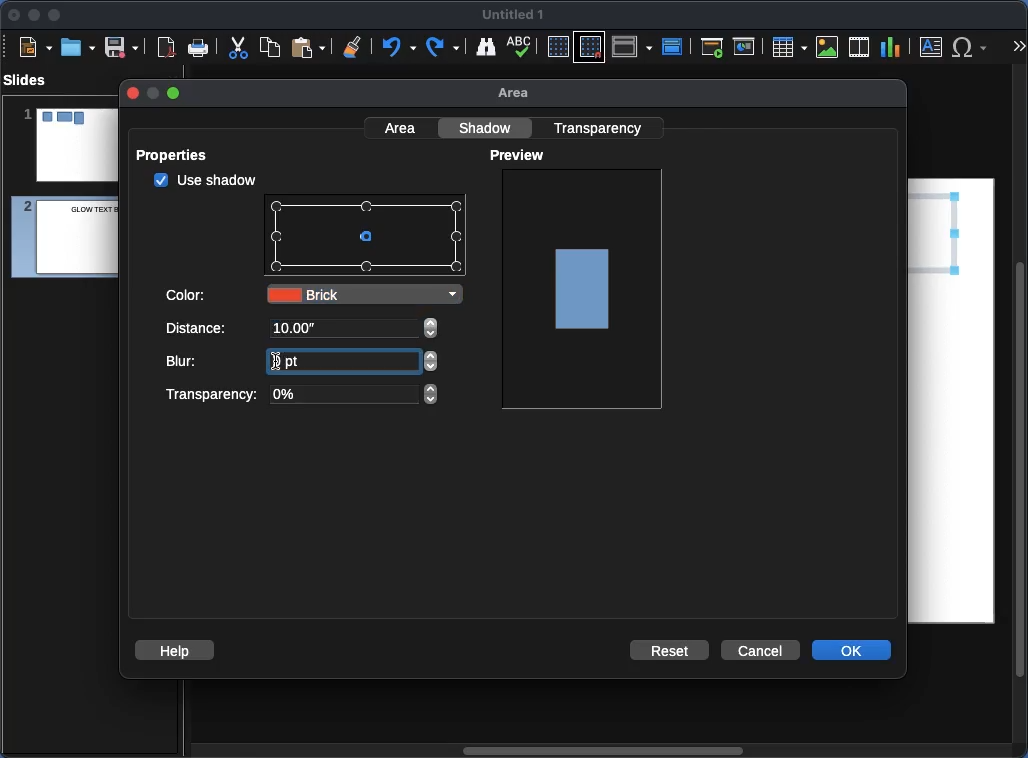 Image resolution: width=1028 pixels, height=758 pixels. What do you see at coordinates (198, 330) in the screenshot?
I see `Distance` at bounding box center [198, 330].